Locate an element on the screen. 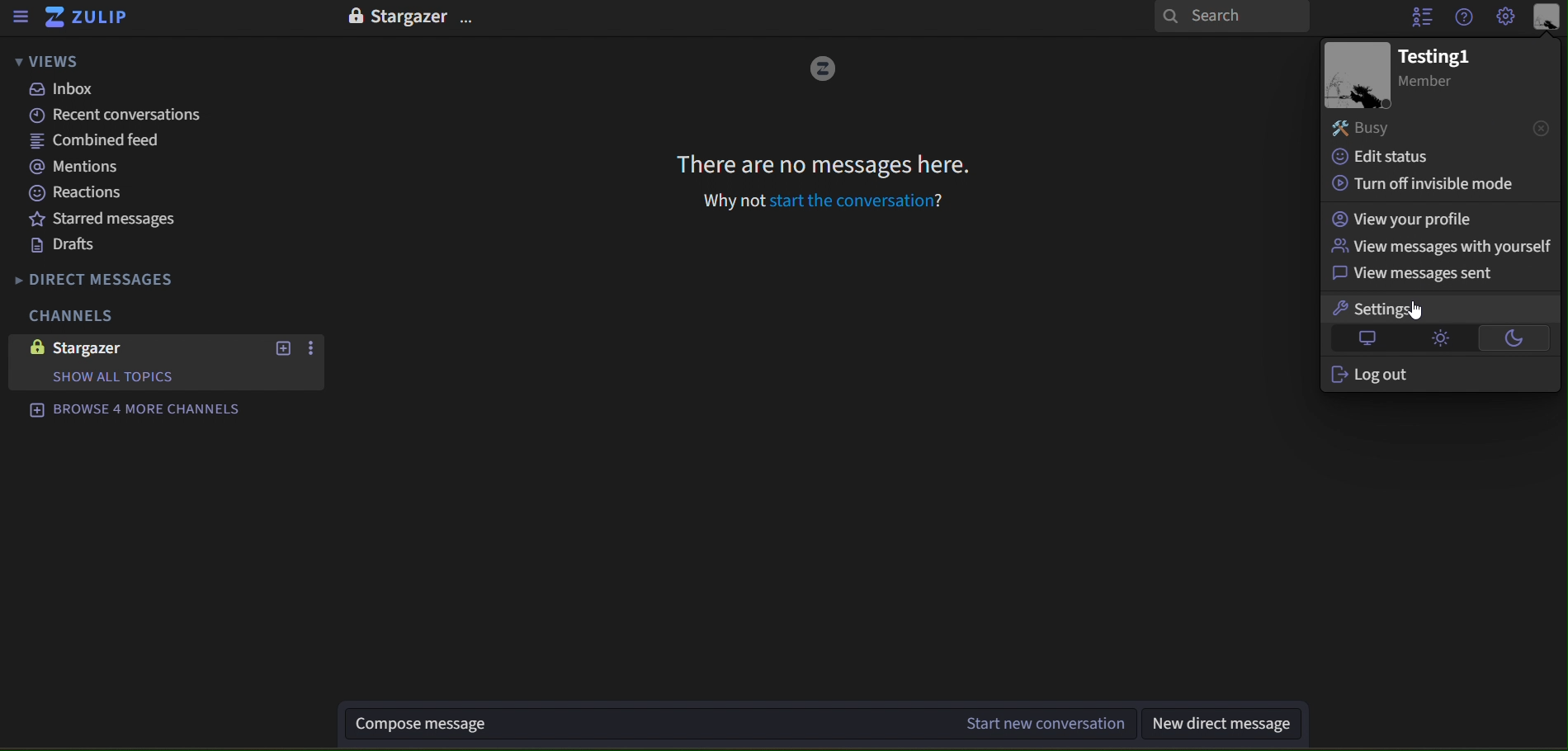  browse 4 more channels is located at coordinates (134, 410).